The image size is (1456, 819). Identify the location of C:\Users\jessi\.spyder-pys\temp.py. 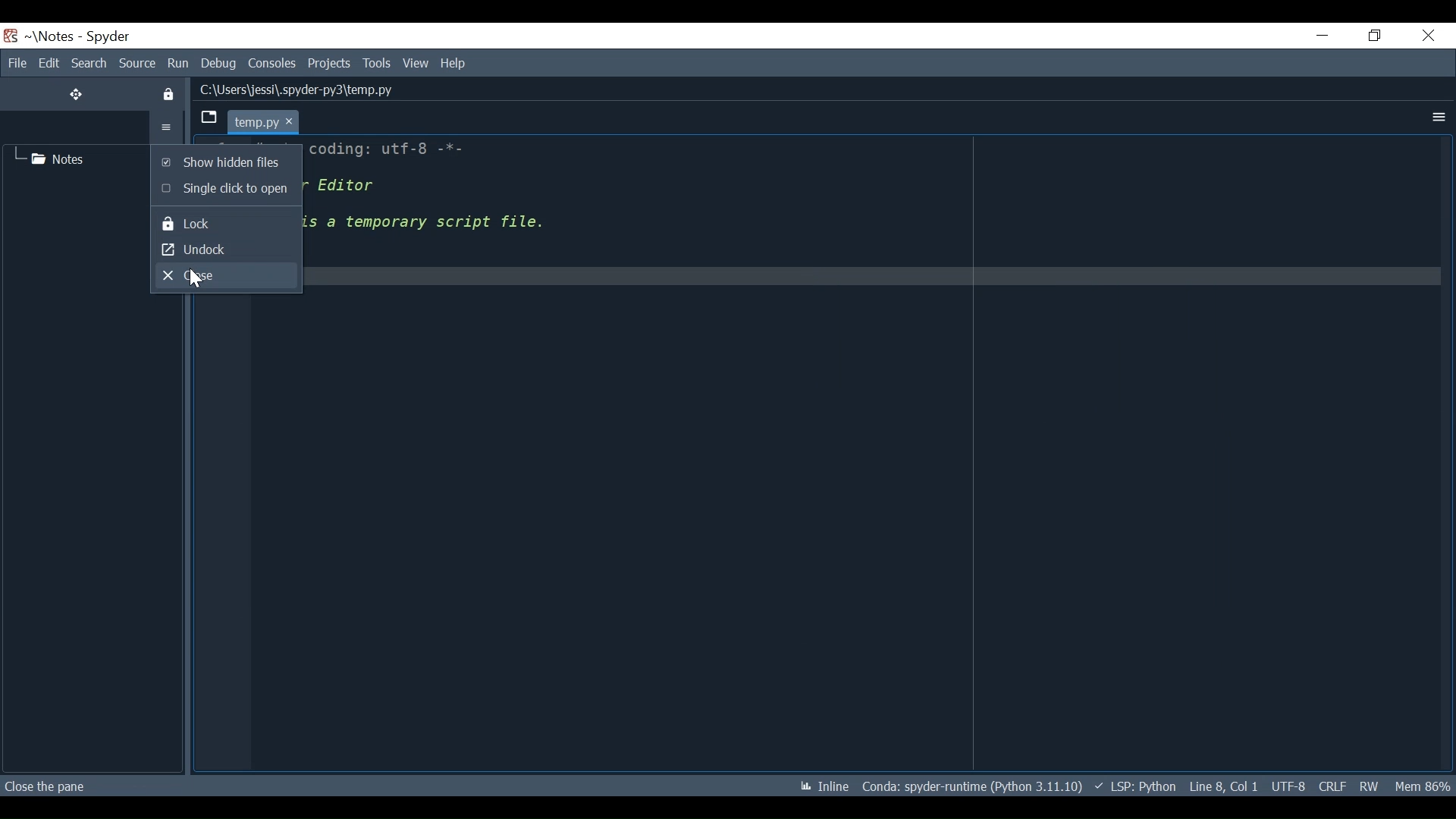
(312, 88).